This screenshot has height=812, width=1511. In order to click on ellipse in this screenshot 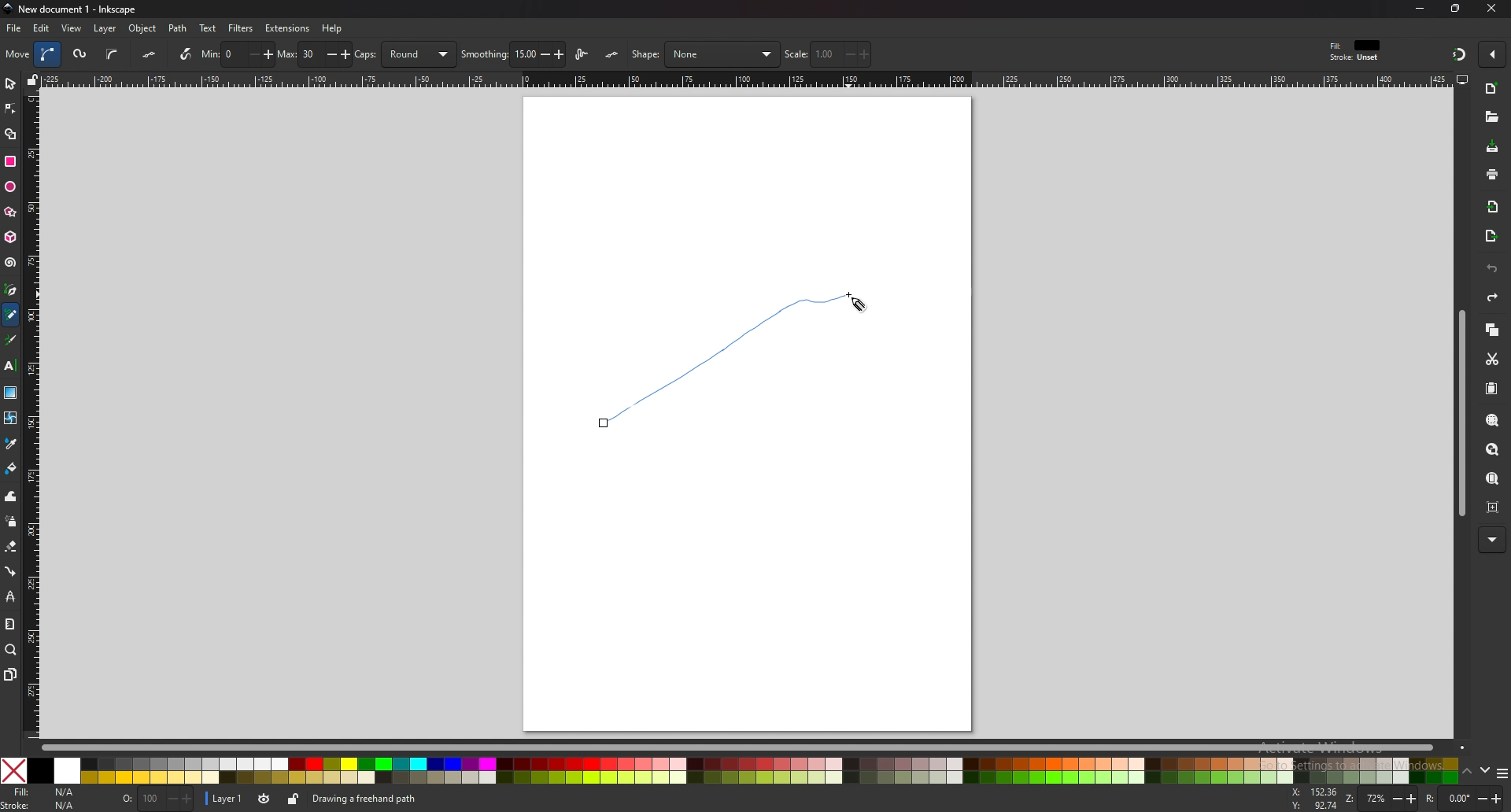, I will do `click(11, 186)`.